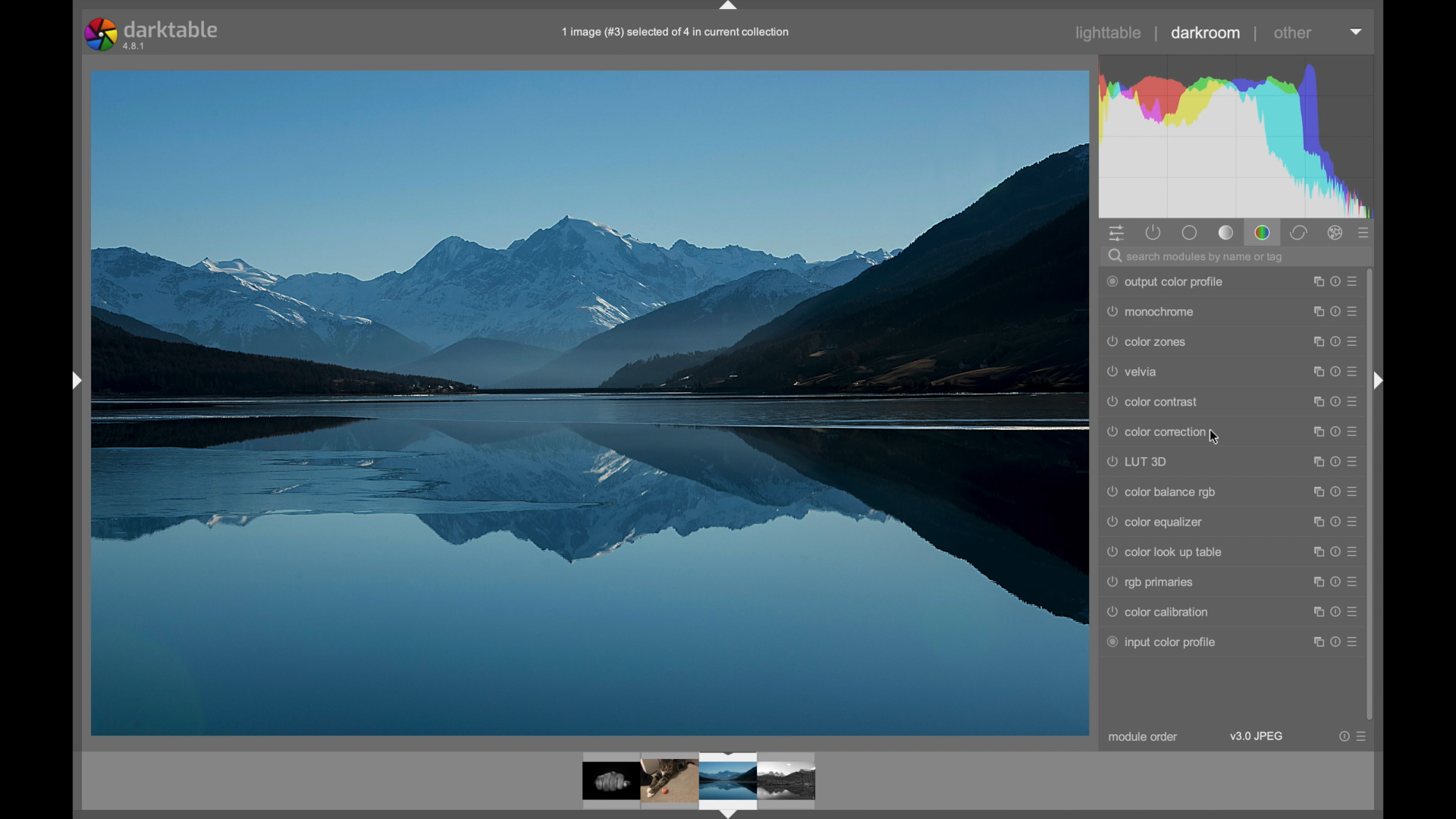  I want to click on more options, so click(1335, 461).